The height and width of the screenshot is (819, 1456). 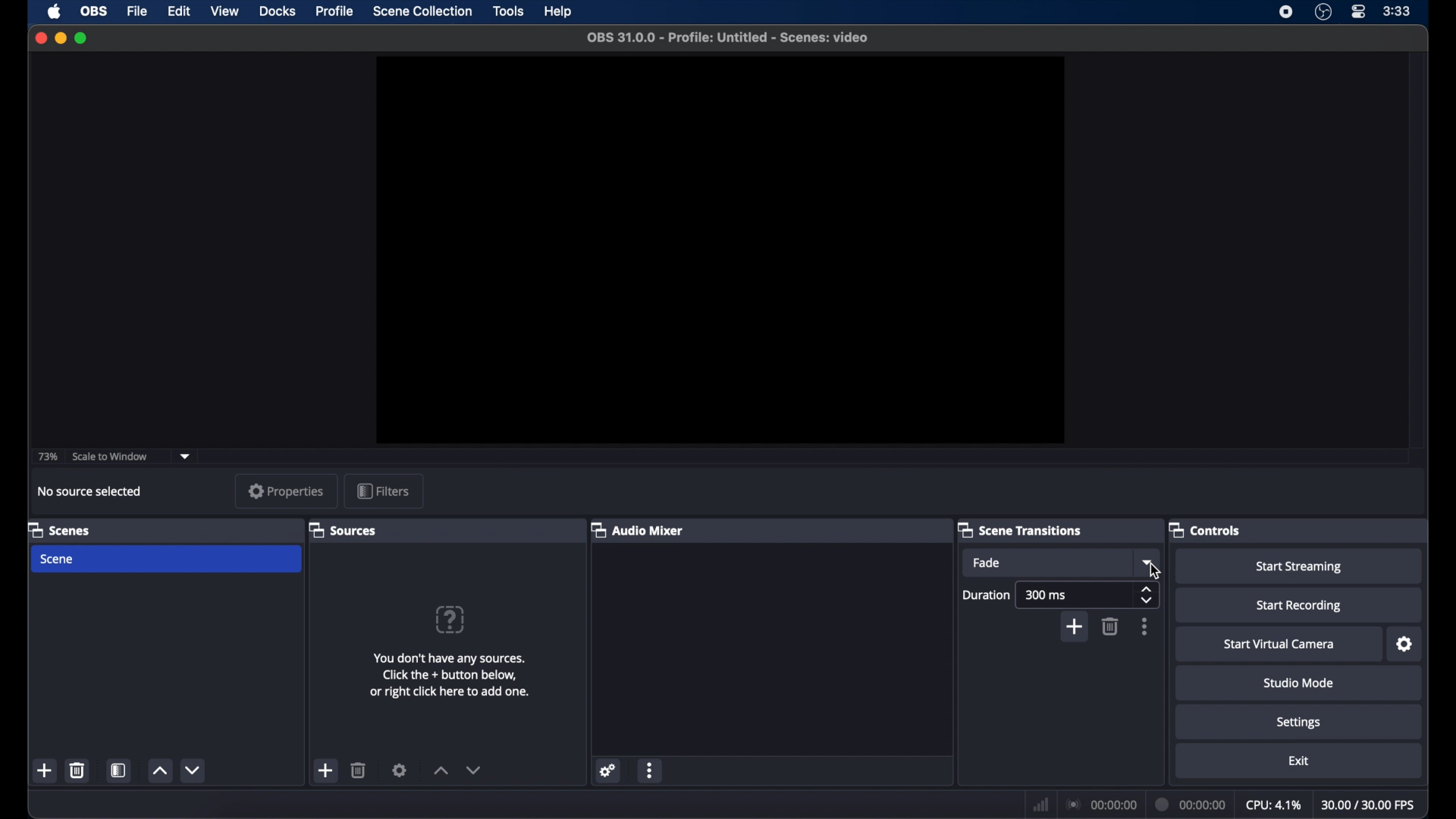 I want to click on duration, so click(x=987, y=595).